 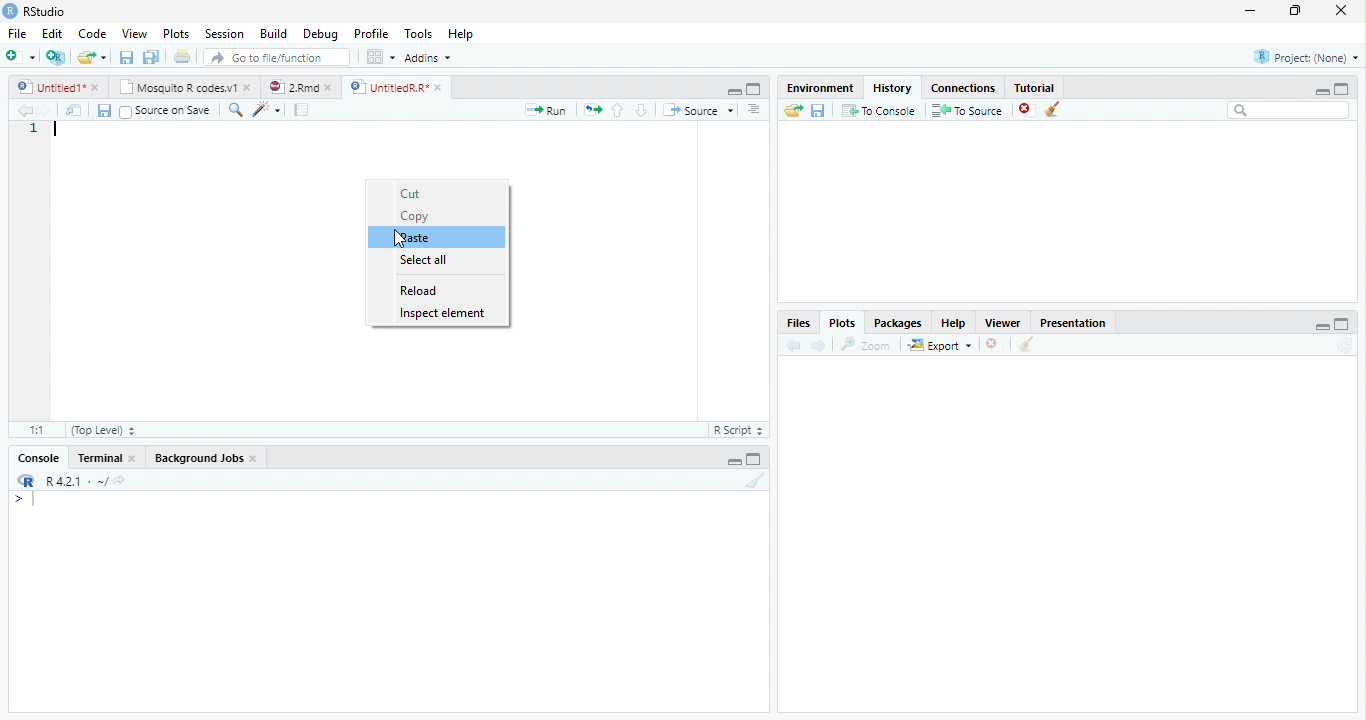 What do you see at coordinates (1026, 346) in the screenshot?
I see `clear` at bounding box center [1026, 346].